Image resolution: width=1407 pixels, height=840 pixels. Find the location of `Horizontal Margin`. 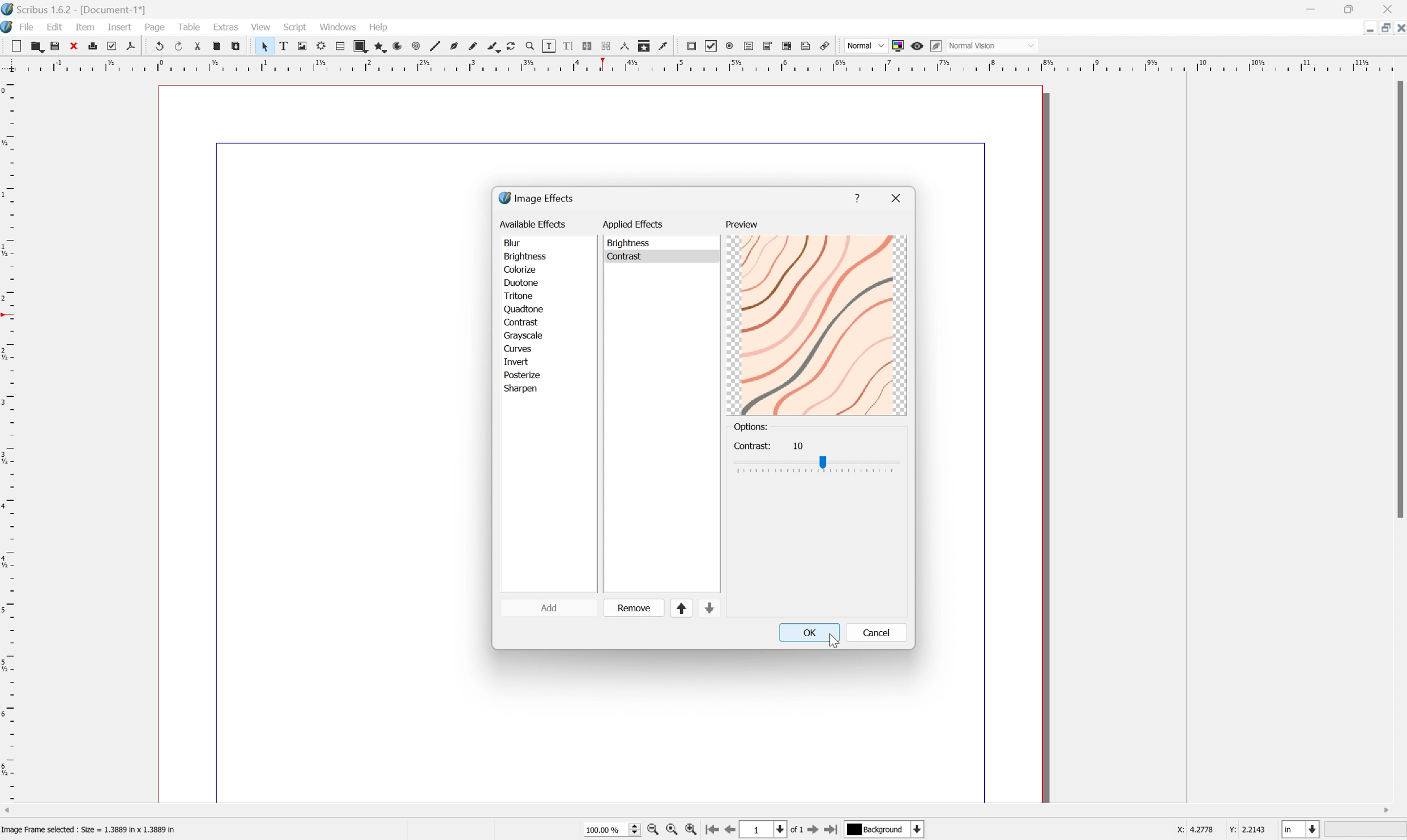

Horizontal Margin is located at coordinates (702, 68).